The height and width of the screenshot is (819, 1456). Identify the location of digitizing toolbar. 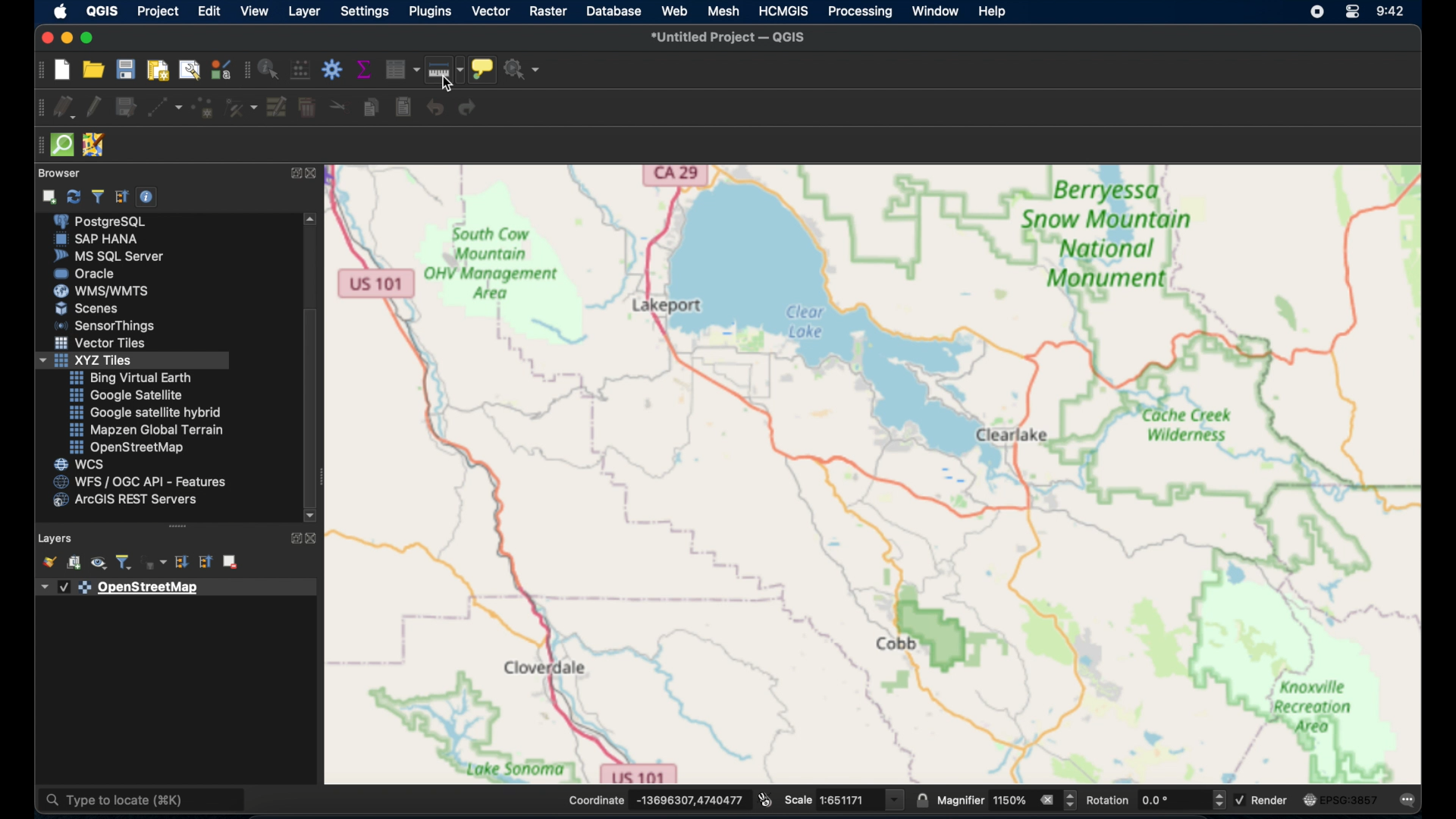
(36, 111).